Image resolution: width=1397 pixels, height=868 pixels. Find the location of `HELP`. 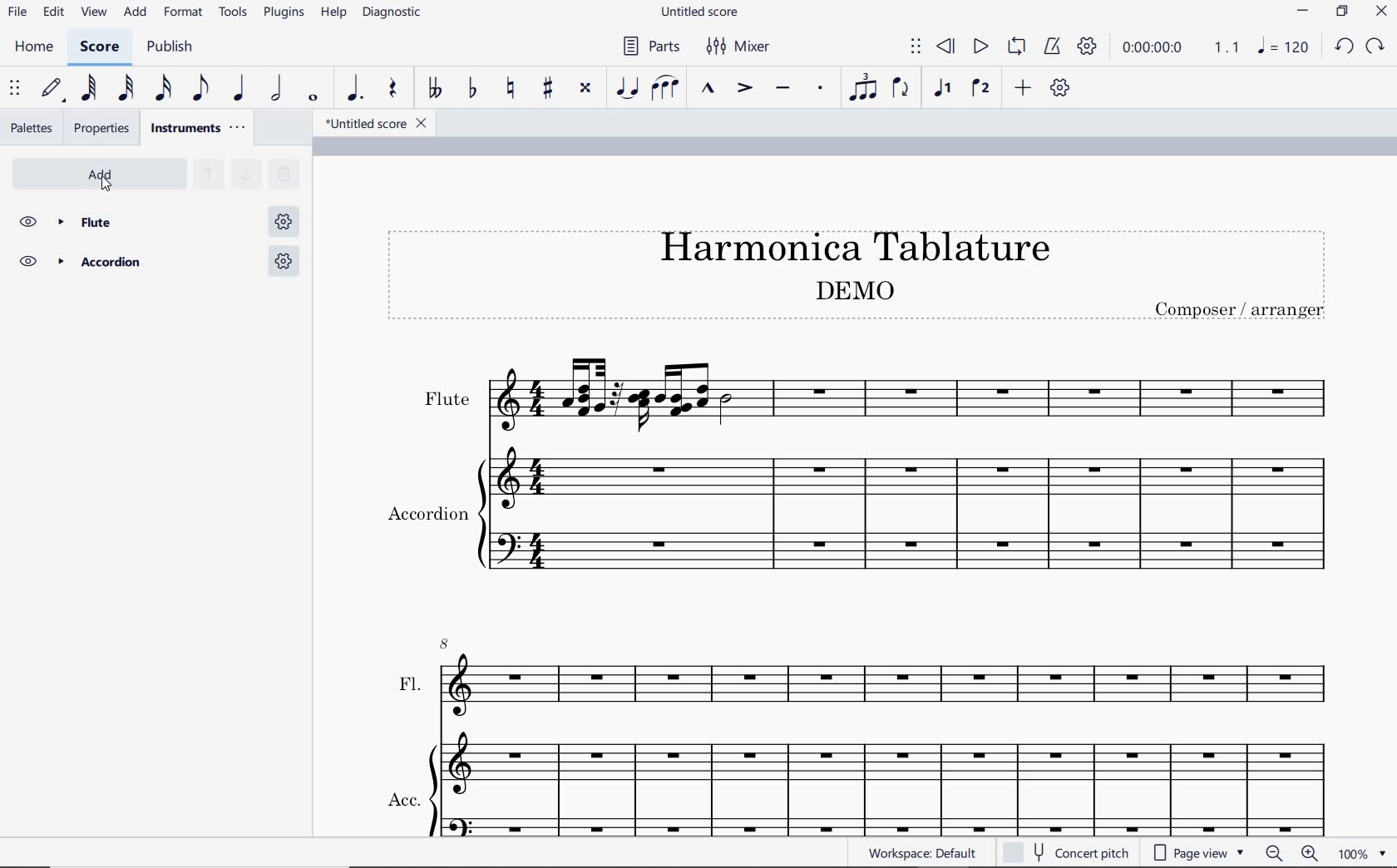

HELP is located at coordinates (334, 13).